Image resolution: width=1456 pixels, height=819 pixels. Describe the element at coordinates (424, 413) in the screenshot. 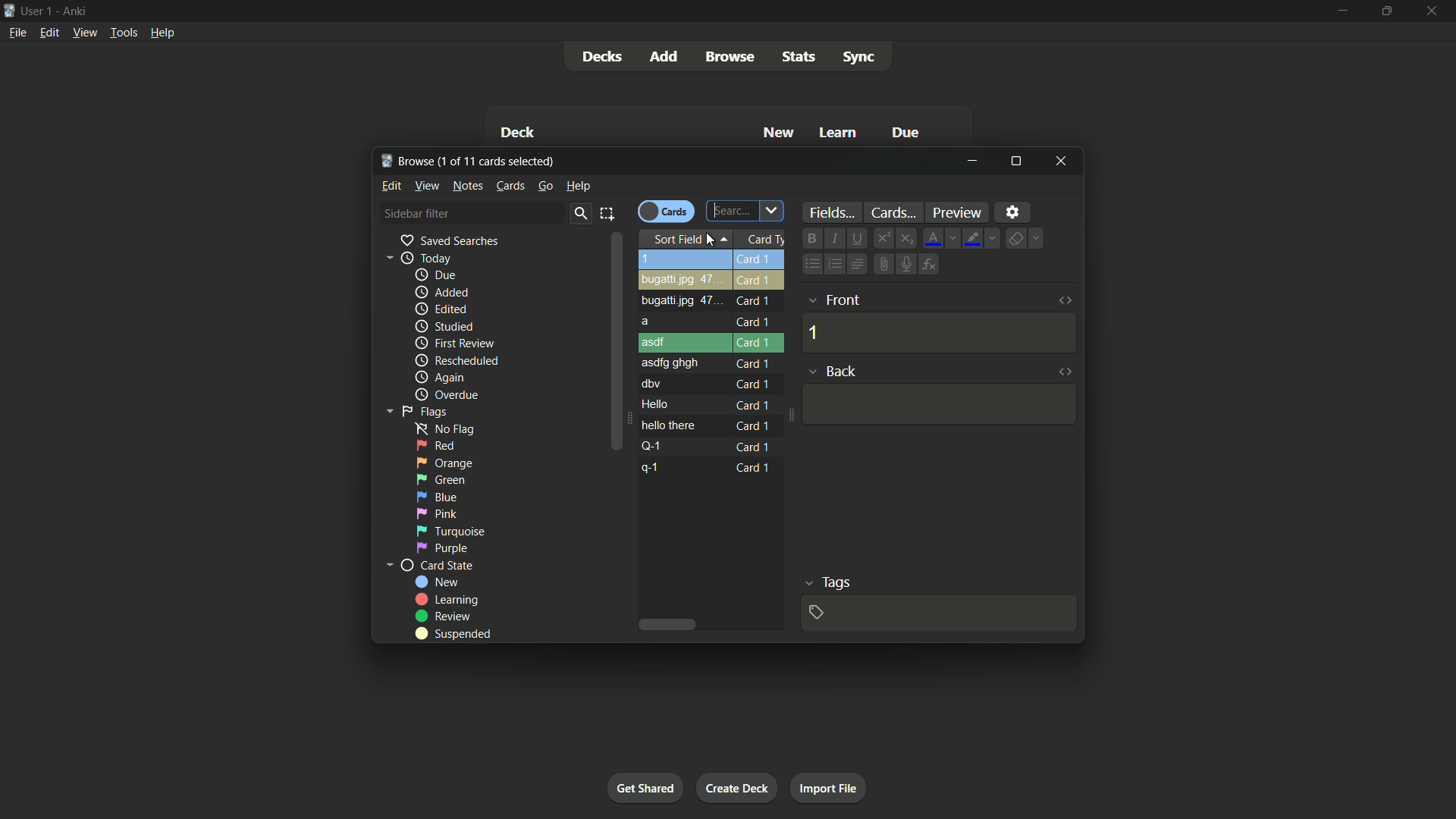

I see `flags` at that location.